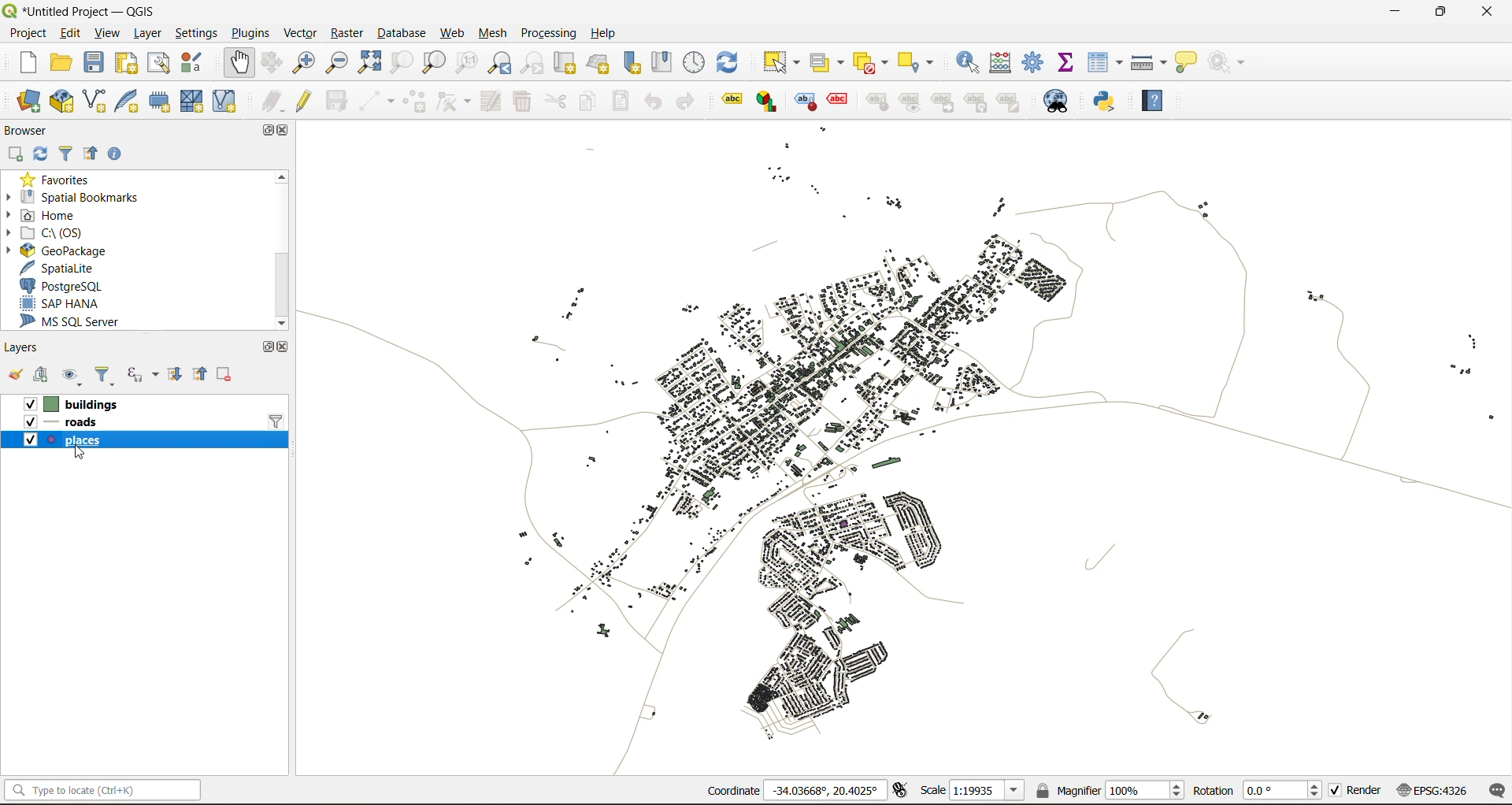 The image size is (1512, 805). What do you see at coordinates (69, 153) in the screenshot?
I see `filter` at bounding box center [69, 153].